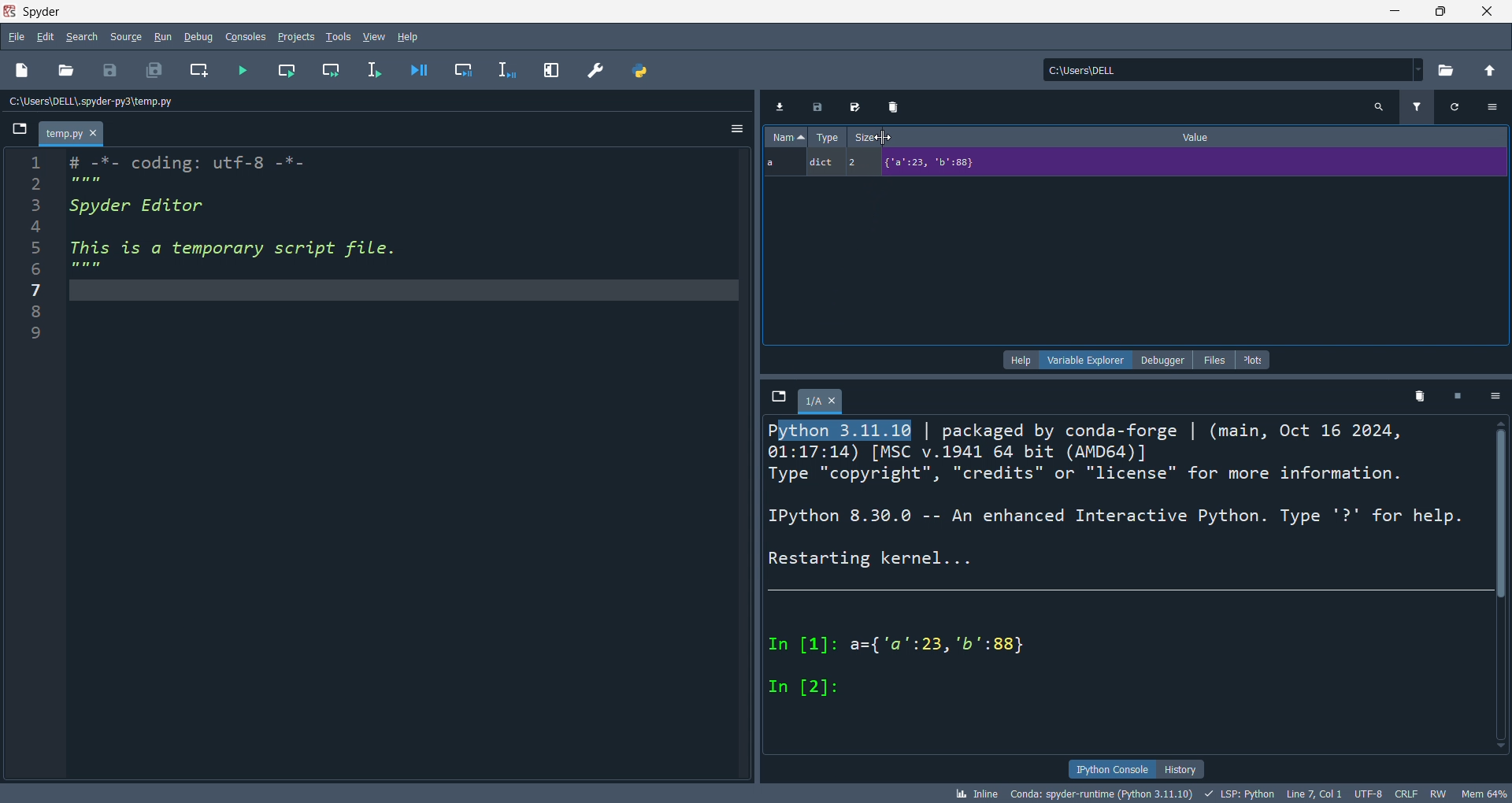  Describe the element at coordinates (282, 71) in the screenshot. I see `run cell` at that location.